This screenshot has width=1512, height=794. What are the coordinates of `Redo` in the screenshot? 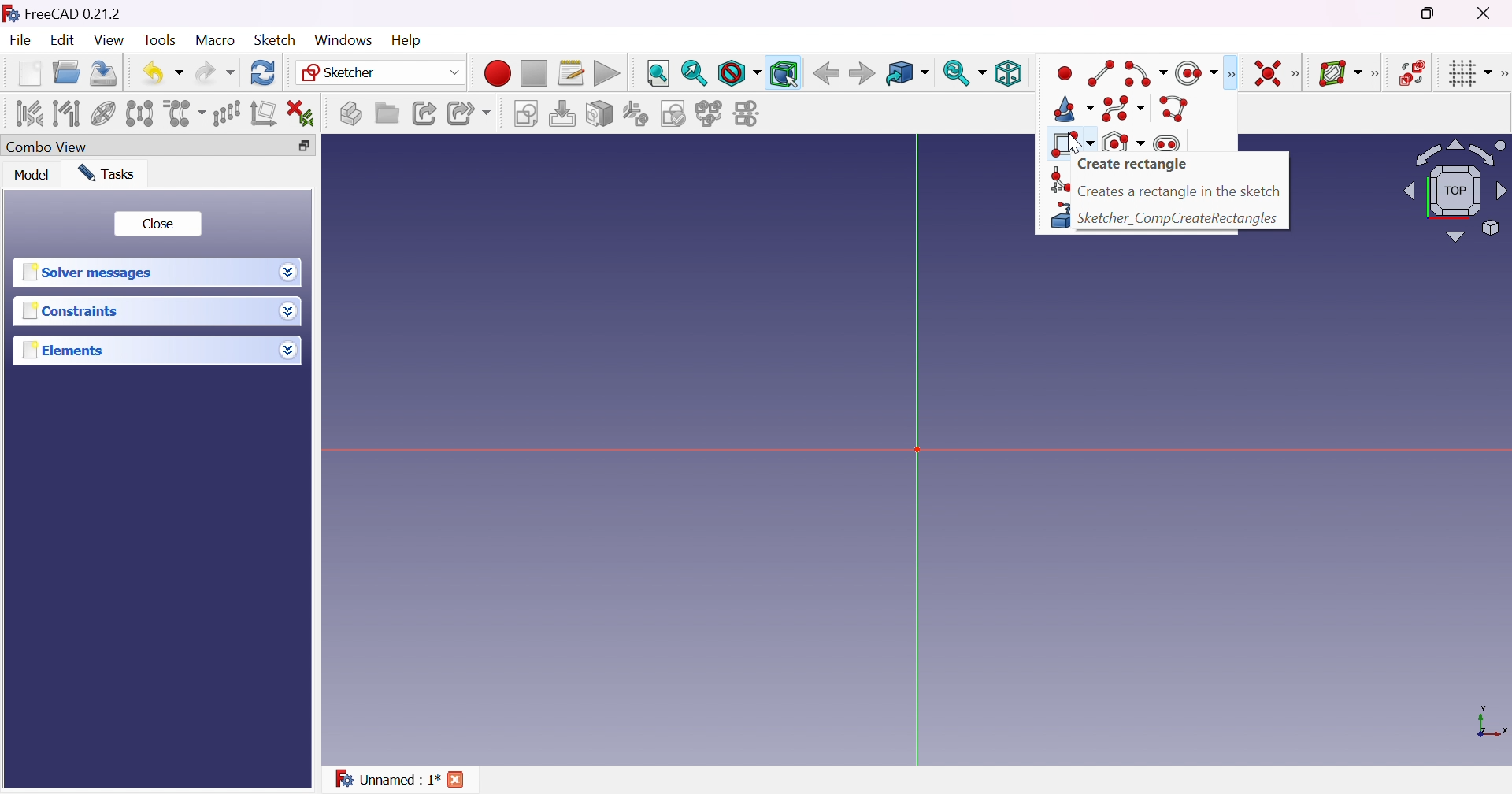 It's located at (216, 74).